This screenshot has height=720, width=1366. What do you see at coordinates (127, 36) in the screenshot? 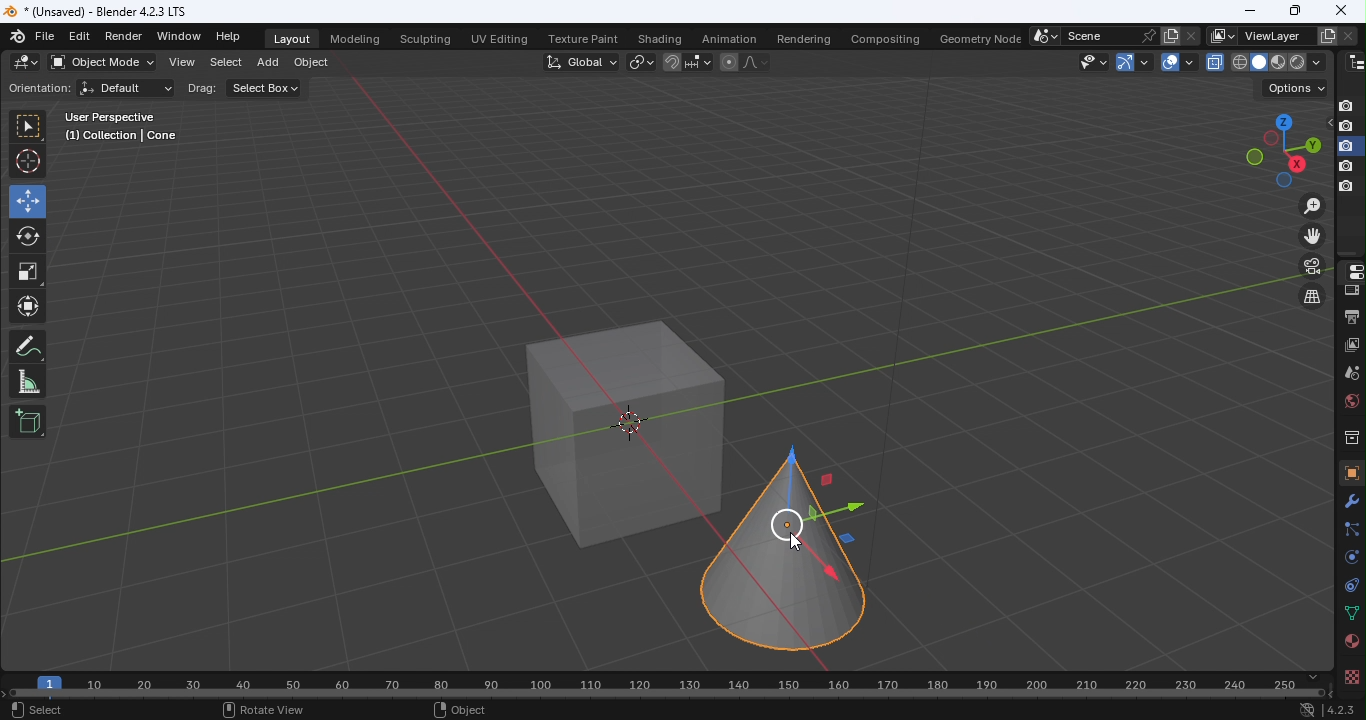
I see `Render` at bounding box center [127, 36].